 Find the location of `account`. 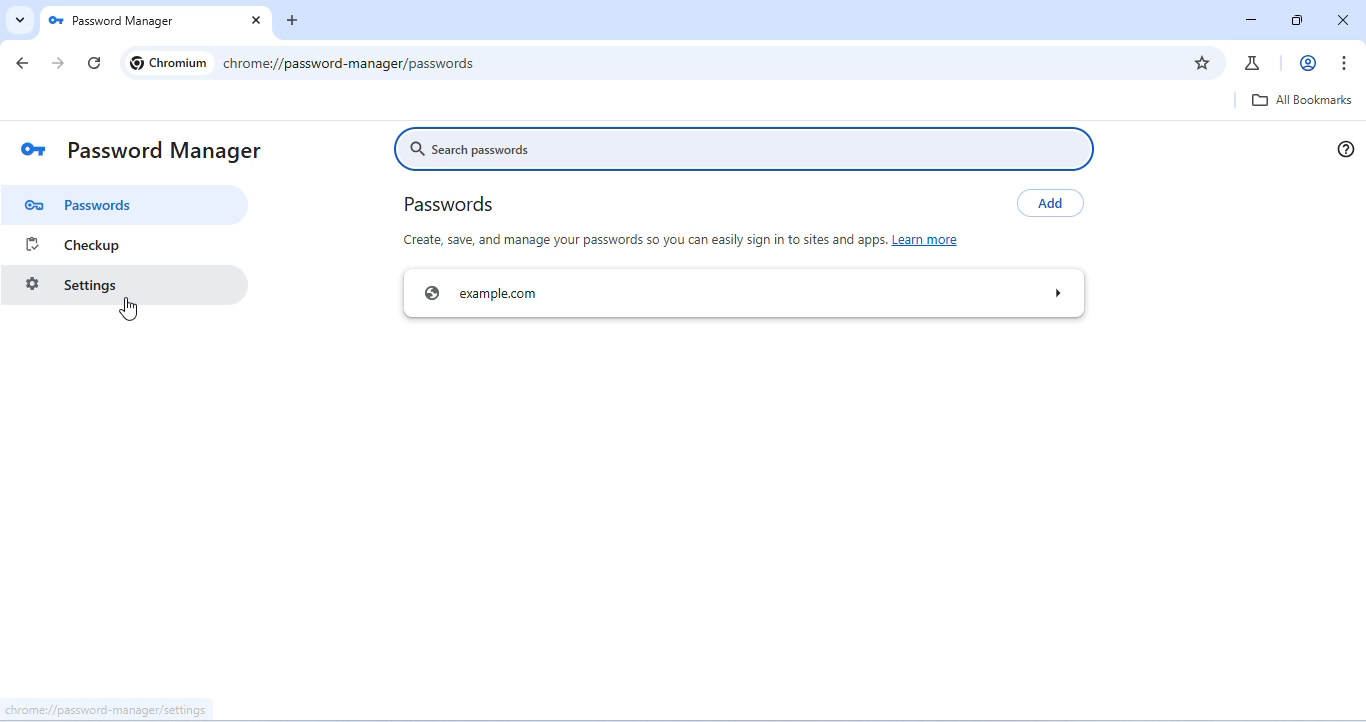

account is located at coordinates (1305, 63).